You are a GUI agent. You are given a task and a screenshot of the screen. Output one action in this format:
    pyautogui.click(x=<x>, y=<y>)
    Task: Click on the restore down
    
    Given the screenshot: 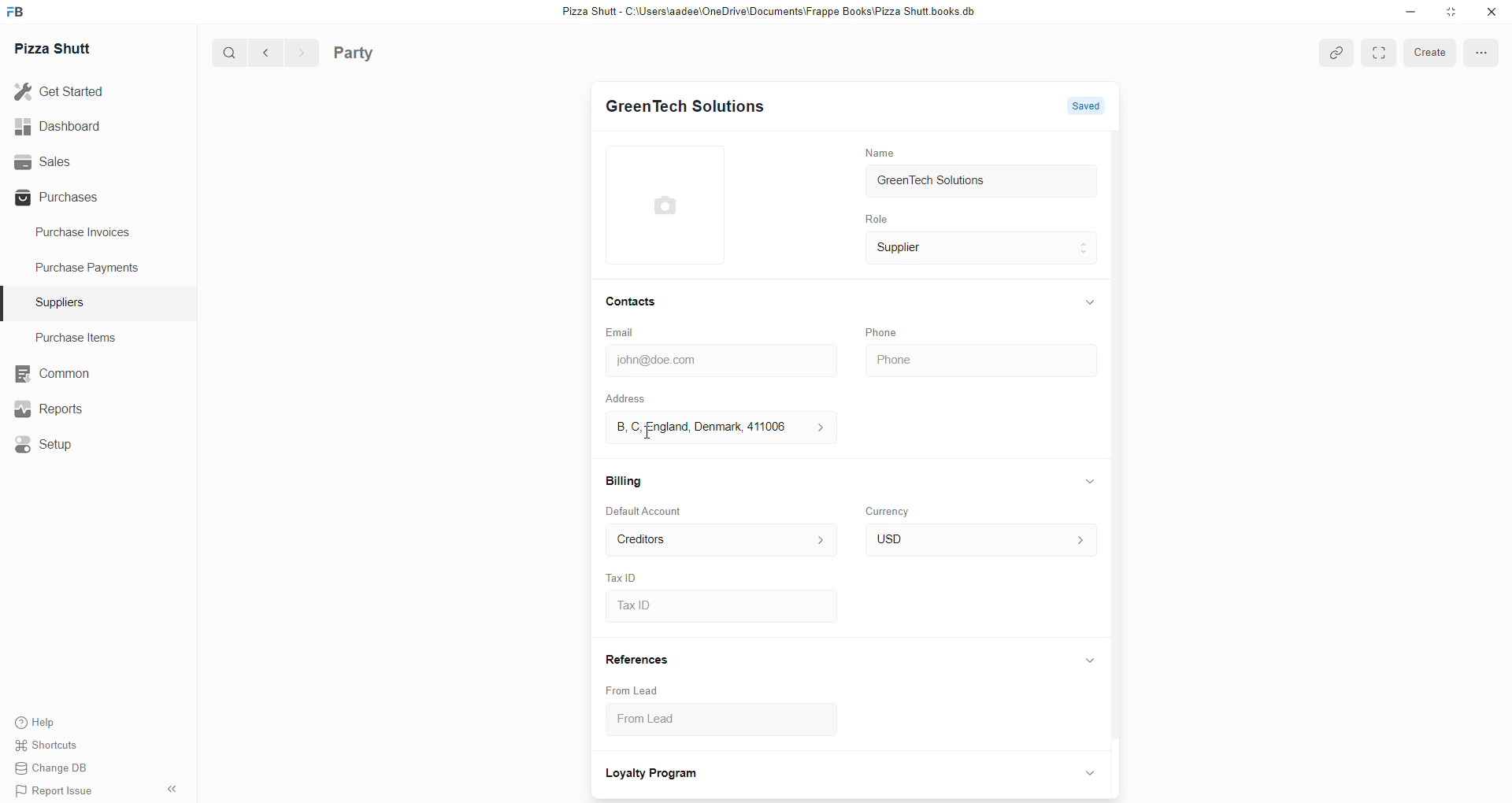 What is the action you would take?
    pyautogui.click(x=1449, y=13)
    